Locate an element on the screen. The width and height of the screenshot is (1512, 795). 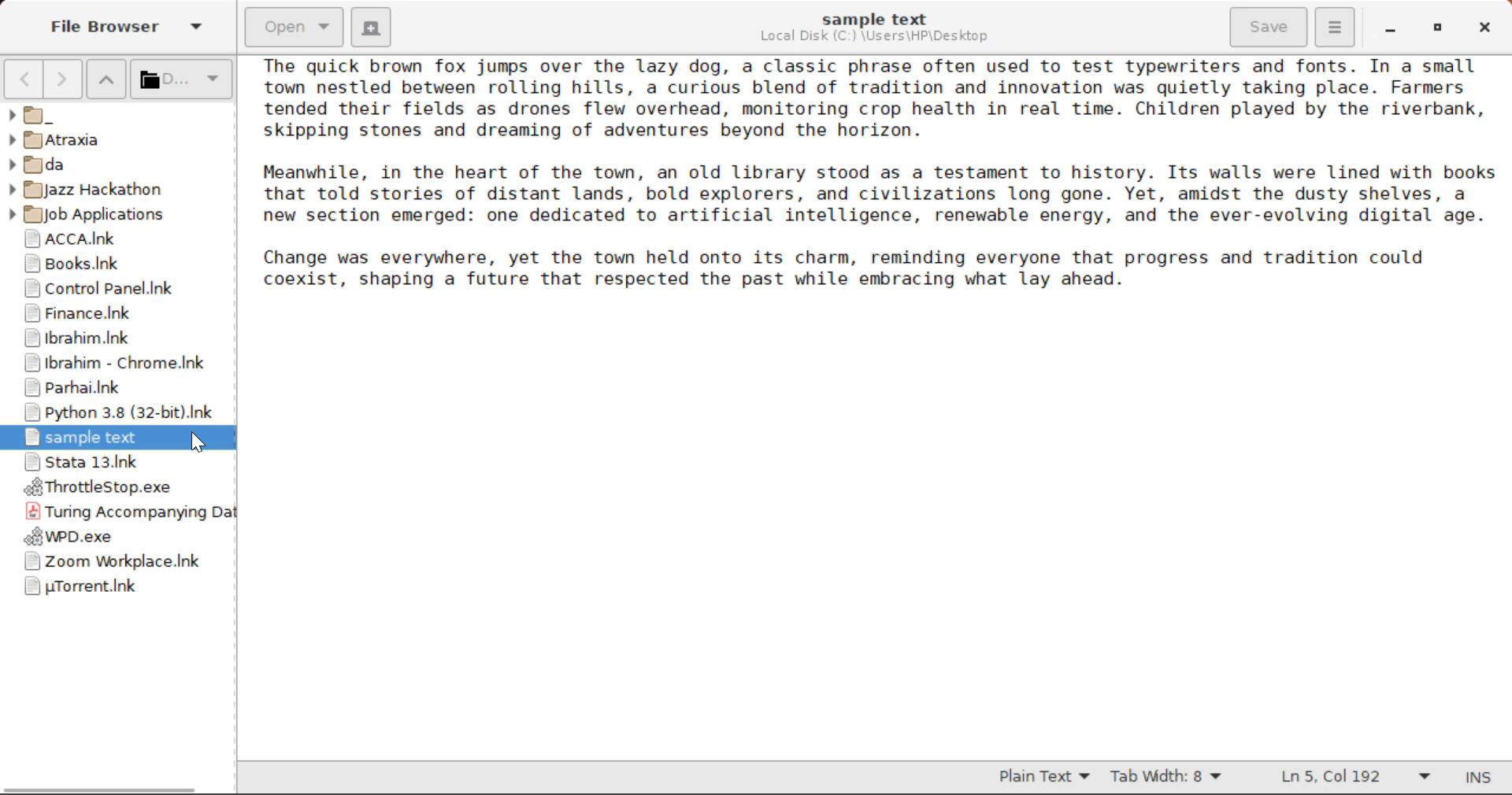
Python 3.8 Application Shortcut is located at coordinates (112, 412).